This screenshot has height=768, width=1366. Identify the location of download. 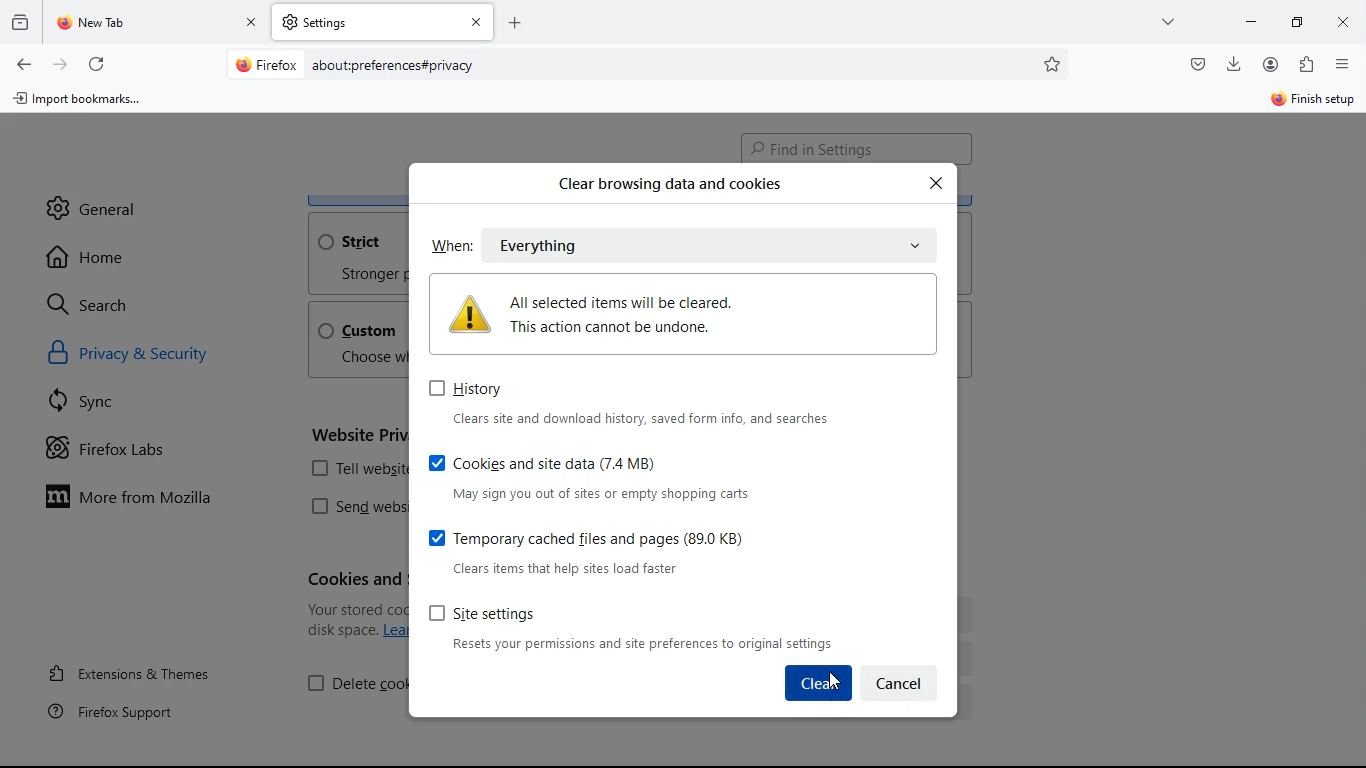
(1234, 62).